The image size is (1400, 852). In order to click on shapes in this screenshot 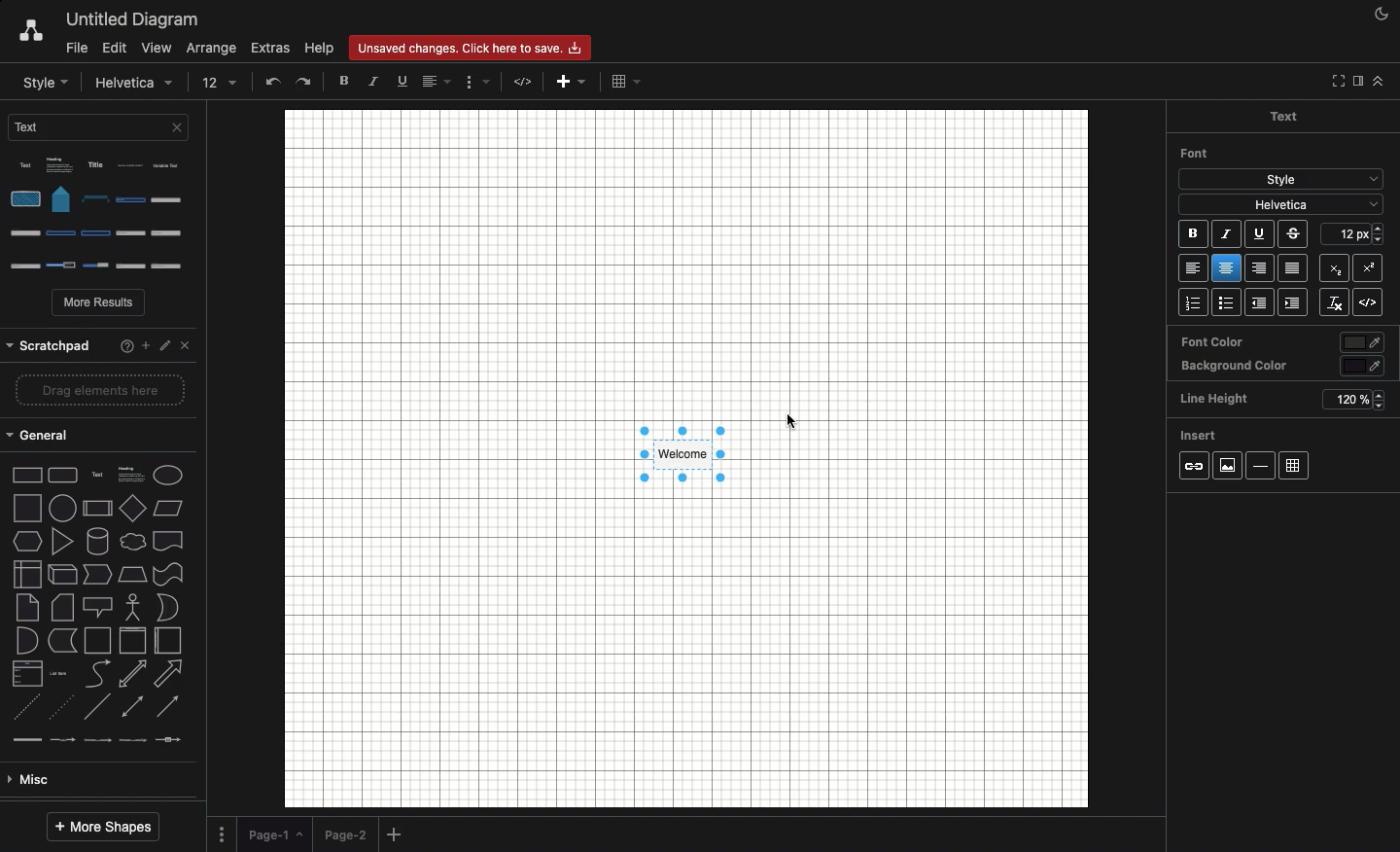, I will do `click(104, 470)`.